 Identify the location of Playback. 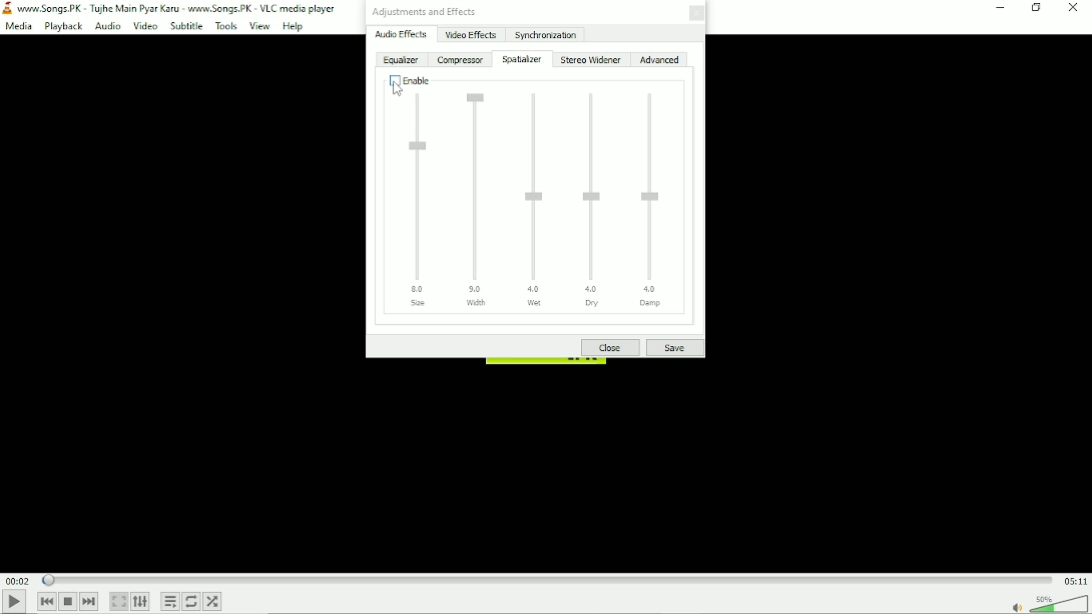
(61, 27).